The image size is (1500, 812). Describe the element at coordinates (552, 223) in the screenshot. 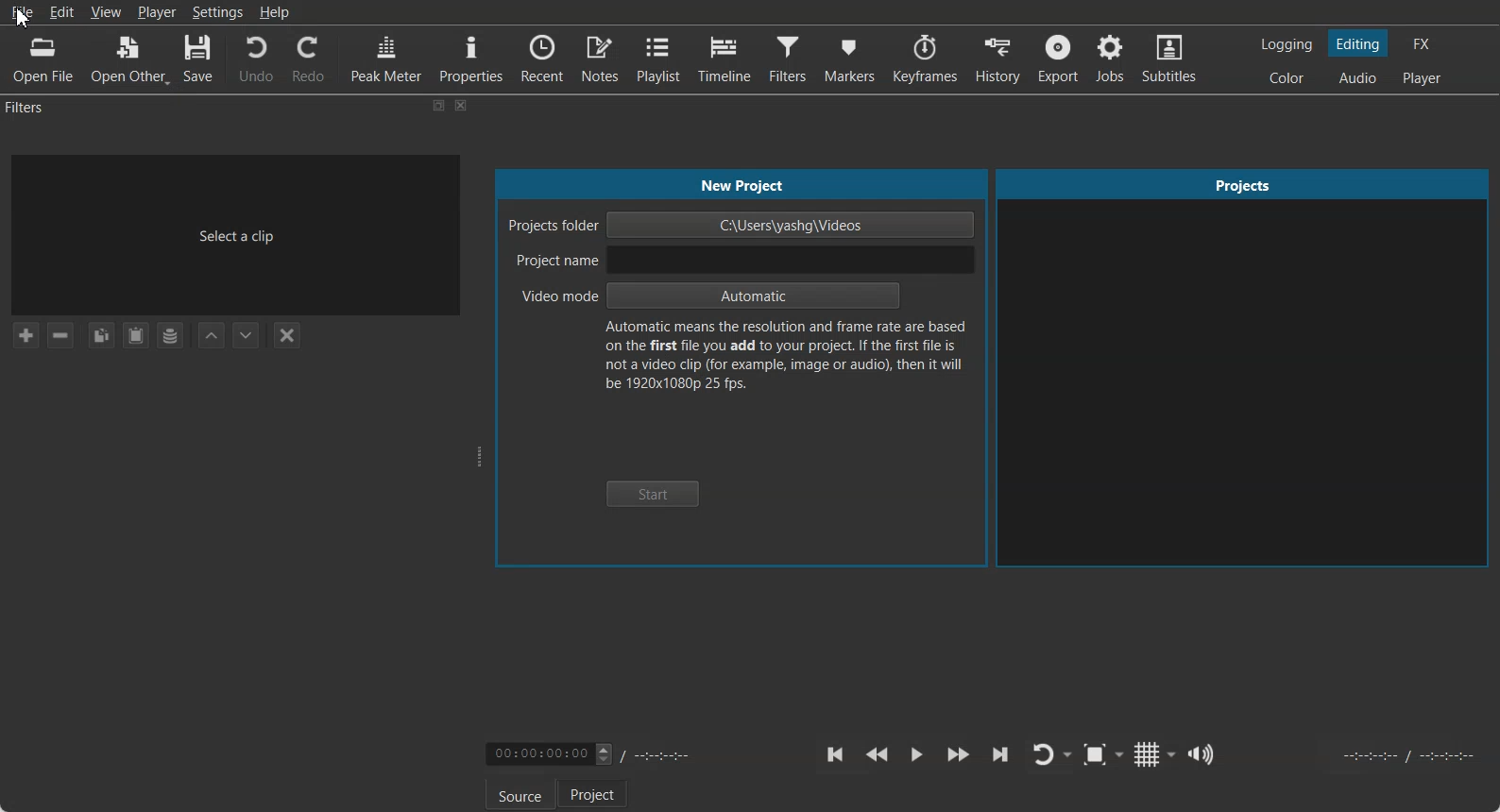

I see `Project folder` at that location.